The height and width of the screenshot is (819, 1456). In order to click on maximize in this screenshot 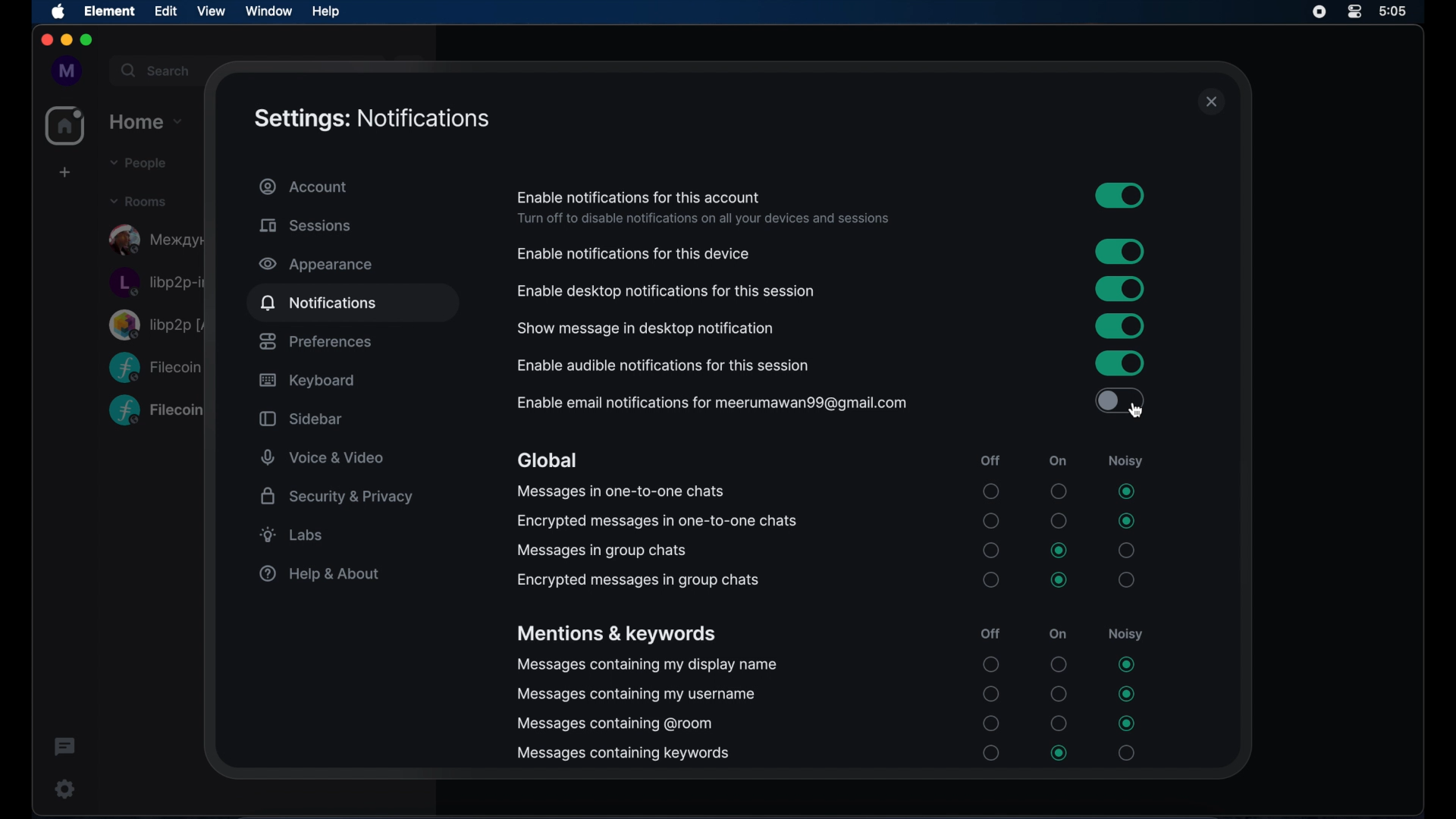, I will do `click(88, 41)`.